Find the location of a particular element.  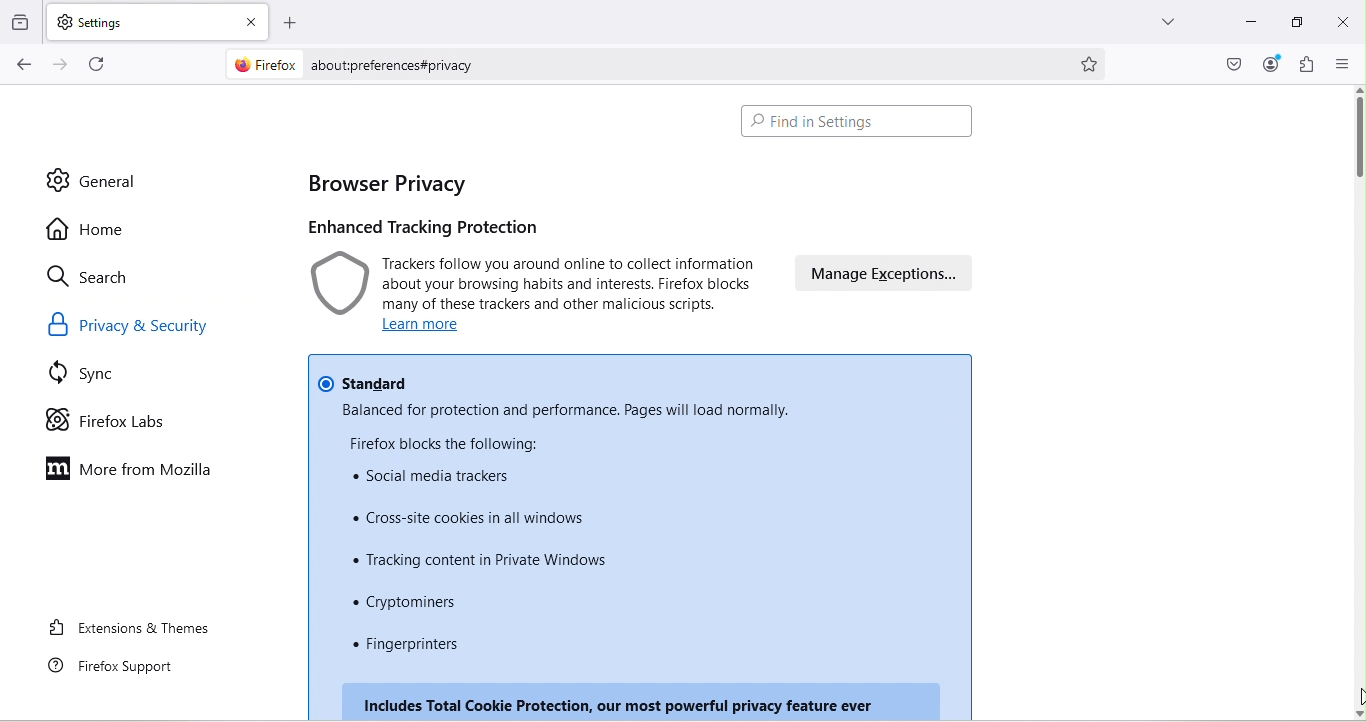

Browse recent tabs across windows and devices is located at coordinates (22, 23).